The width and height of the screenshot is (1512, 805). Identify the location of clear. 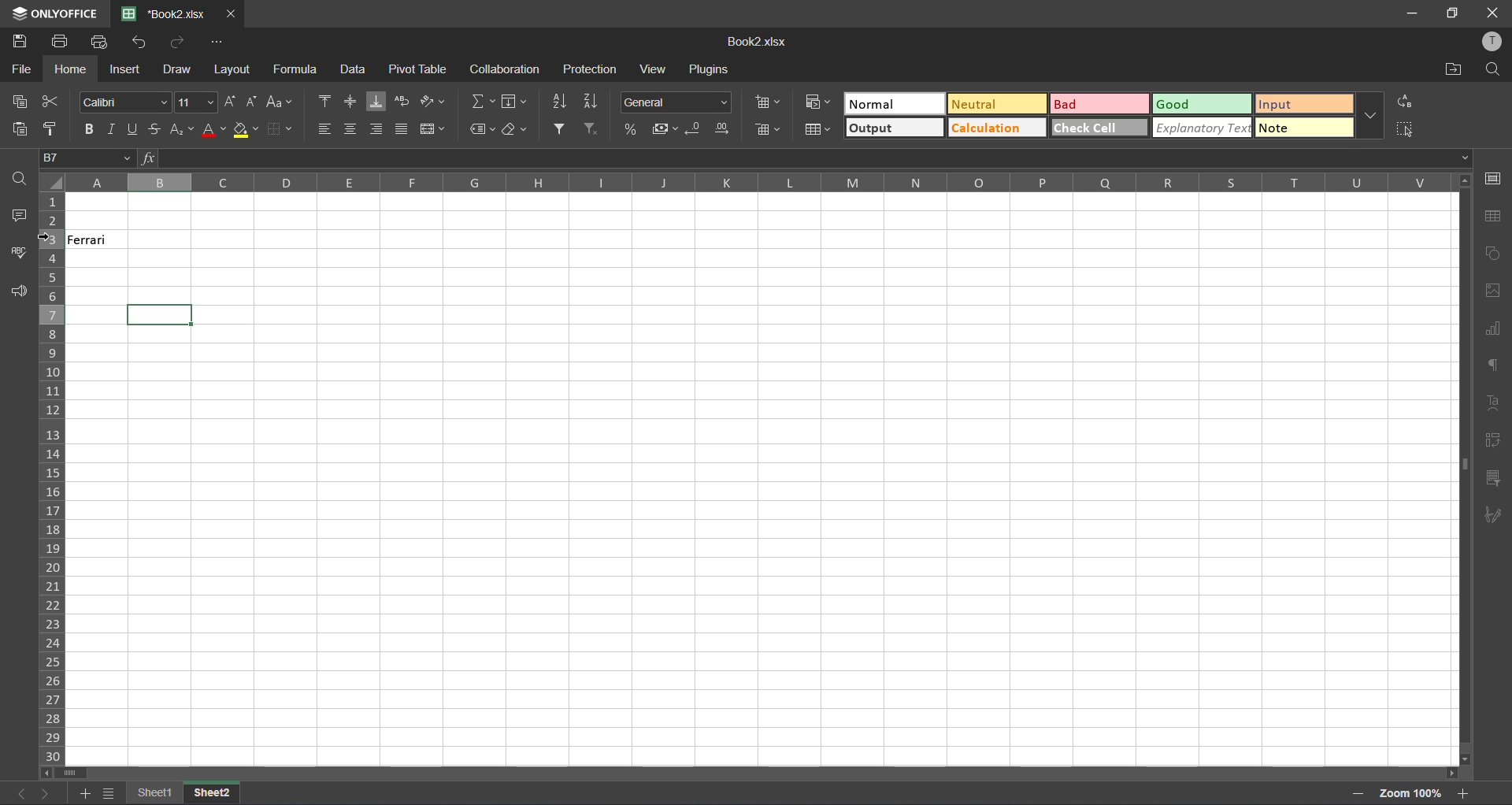
(517, 131).